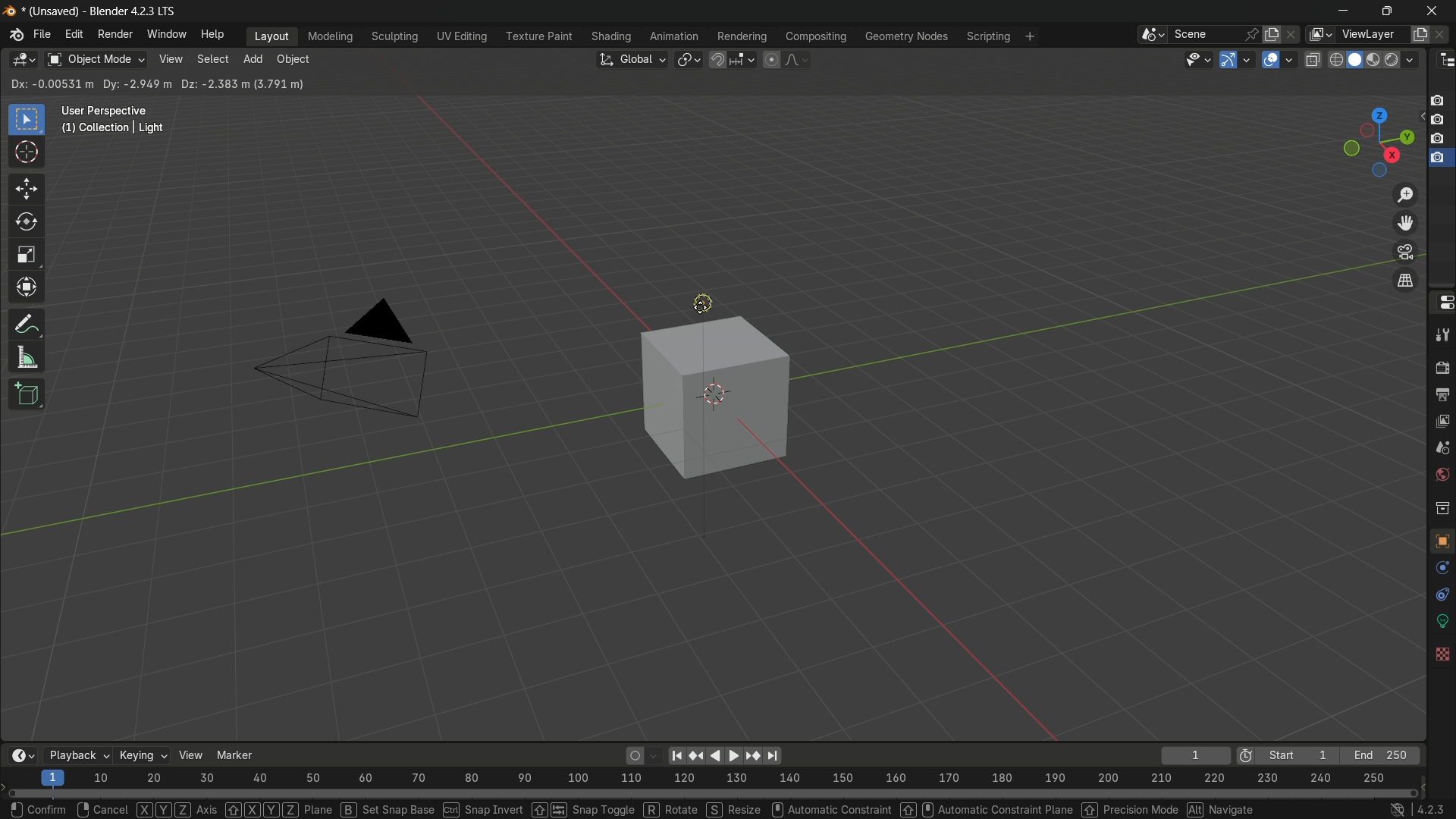  What do you see at coordinates (1294, 36) in the screenshot?
I see `delete scene` at bounding box center [1294, 36].